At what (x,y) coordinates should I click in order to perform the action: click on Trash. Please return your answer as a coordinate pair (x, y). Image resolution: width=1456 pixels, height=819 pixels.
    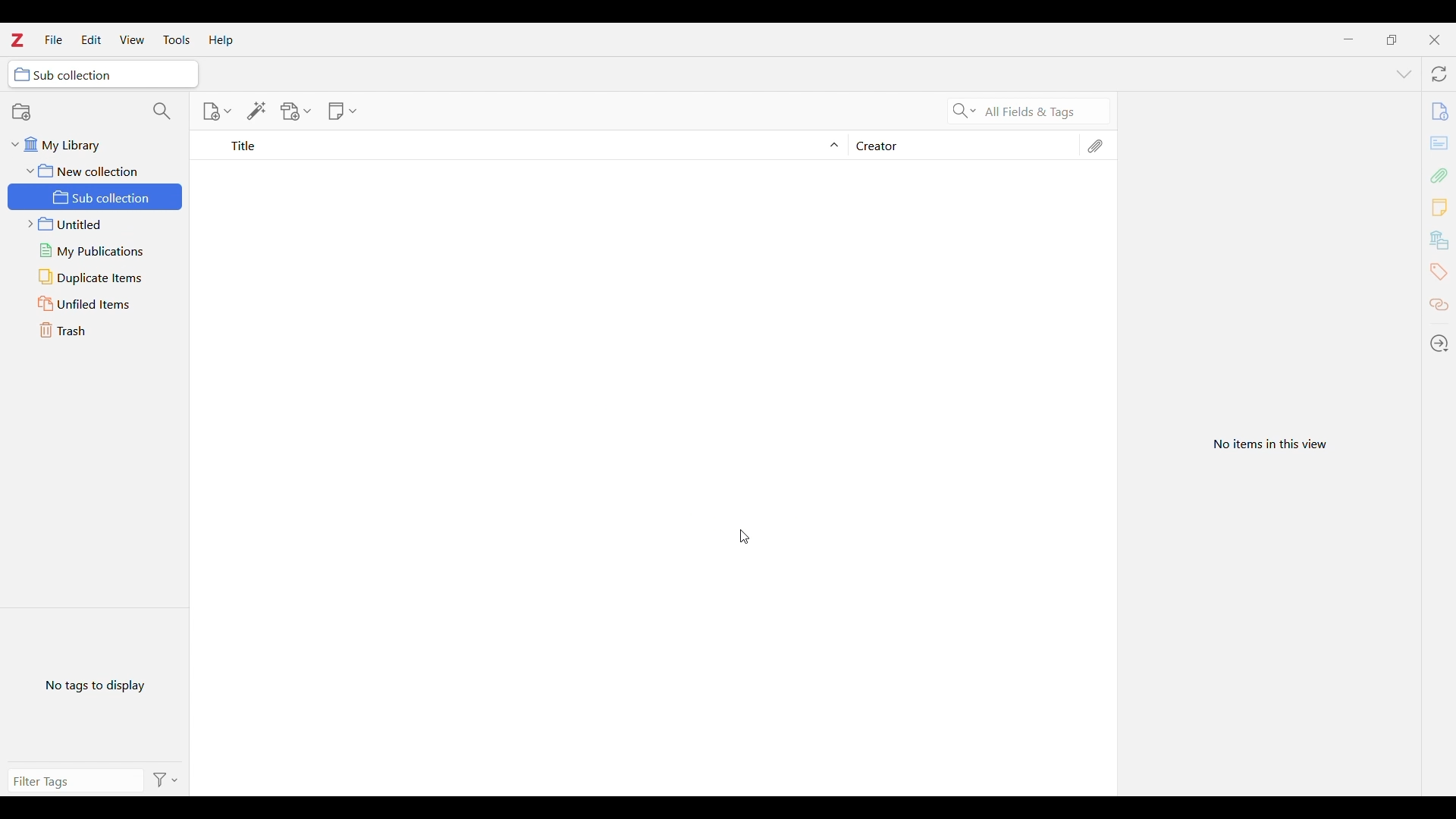
    Looking at the image, I should click on (93, 331).